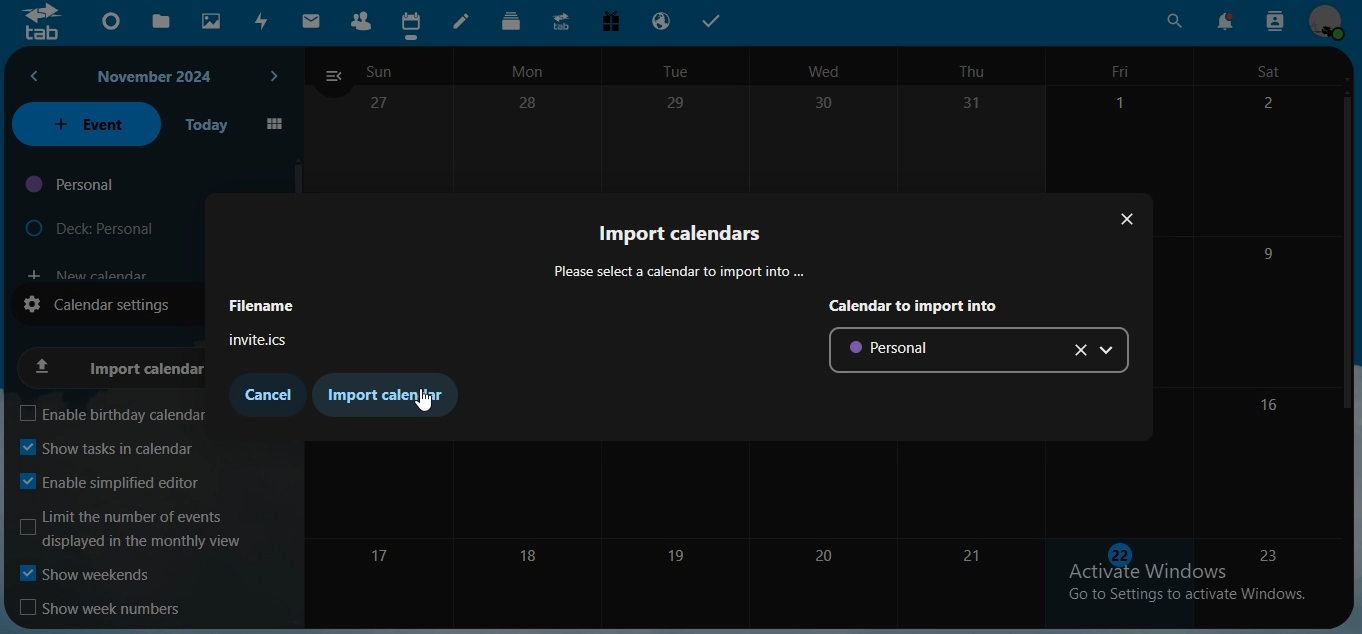 Image resolution: width=1362 pixels, height=634 pixels. Describe the element at coordinates (274, 125) in the screenshot. I see `grid view` at that location.